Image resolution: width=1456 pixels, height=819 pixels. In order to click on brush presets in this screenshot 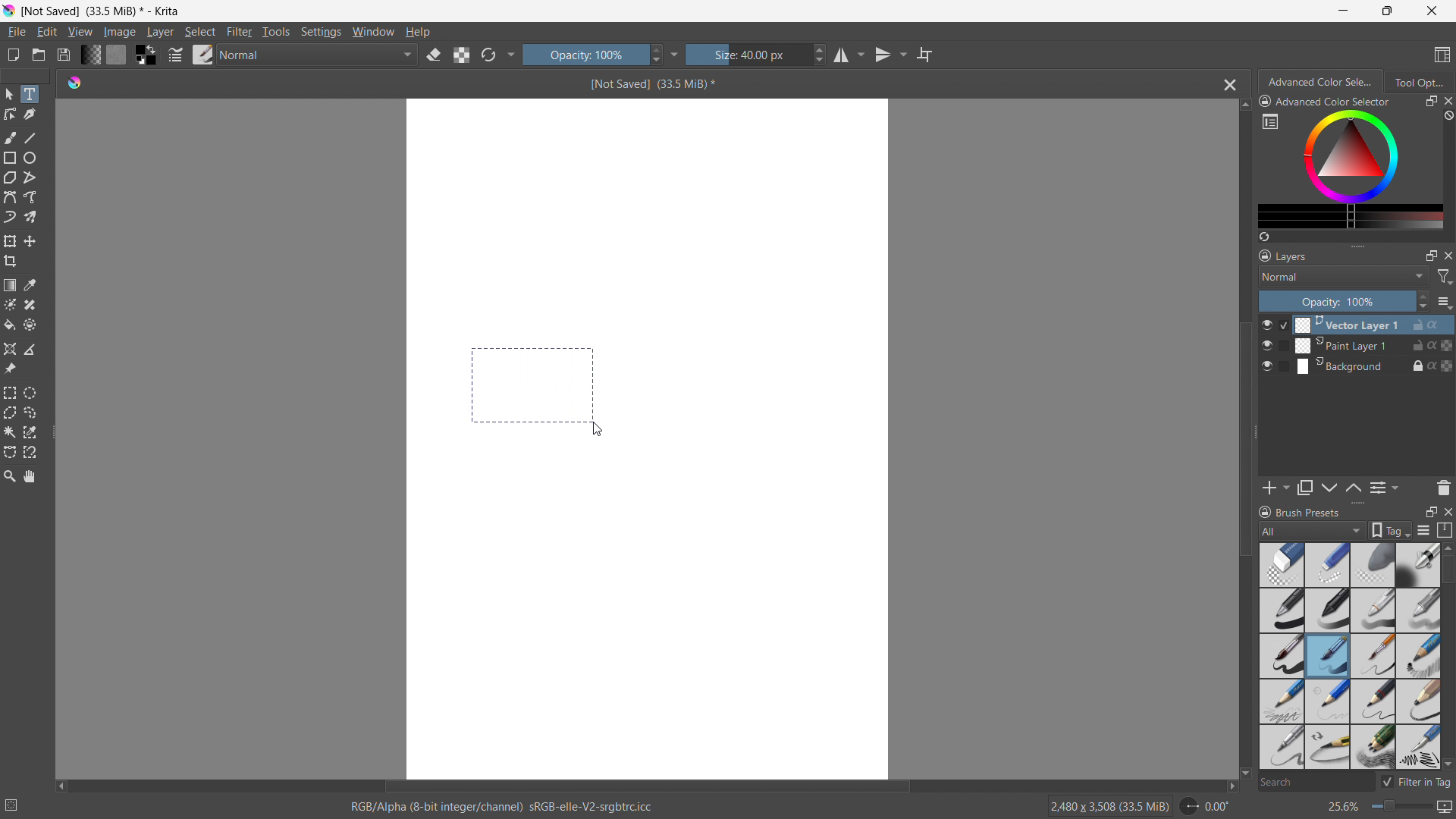, I will do `click(1299, 511)`.